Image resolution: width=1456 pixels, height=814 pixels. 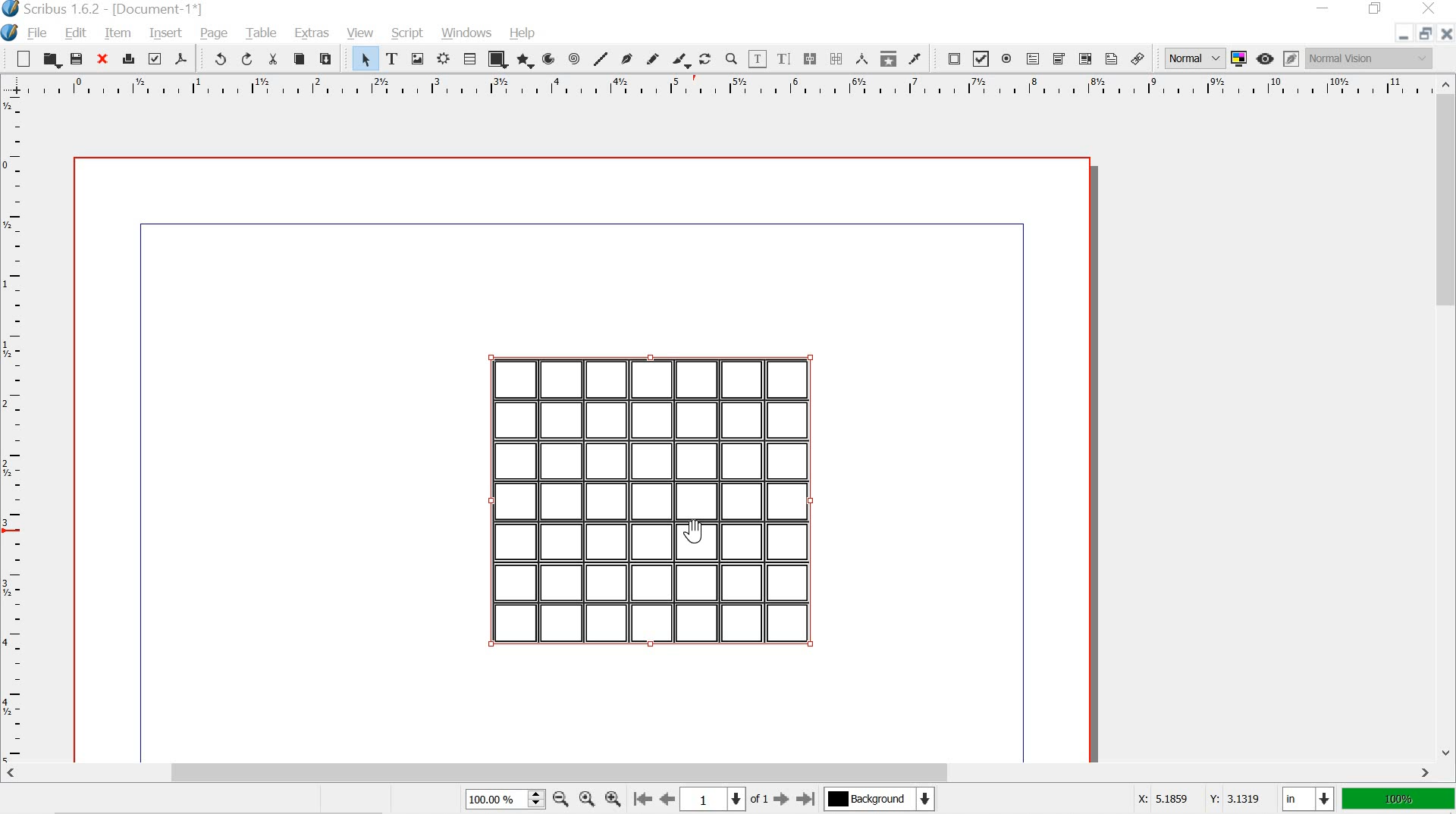 What do you see at coordinates (1006, 59) in the screenshot?
I see `pdf radio button` at bounding box center [1006, 59].